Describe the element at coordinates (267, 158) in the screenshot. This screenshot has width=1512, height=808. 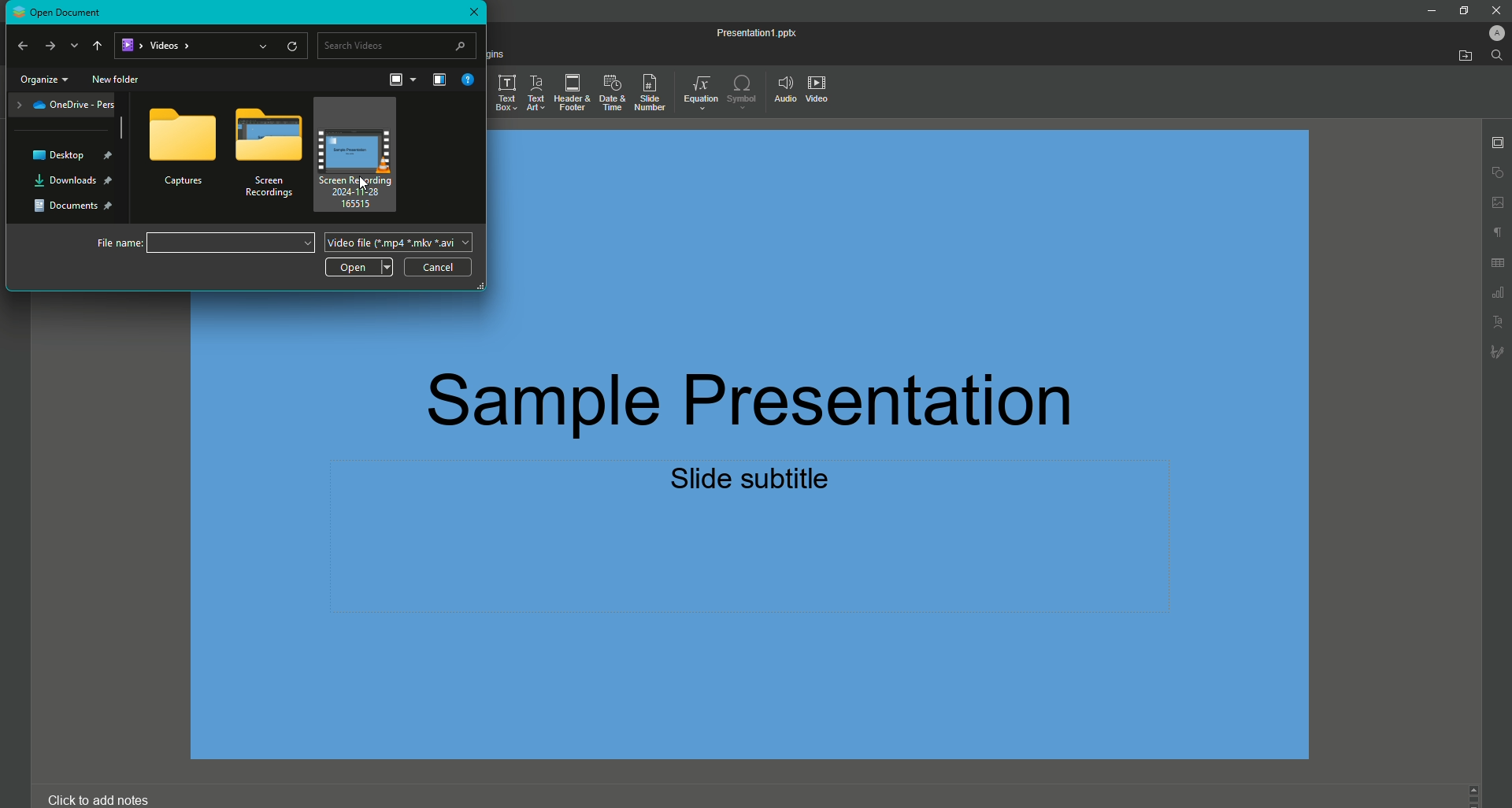
I see `Screen Recording Folder` at that location.